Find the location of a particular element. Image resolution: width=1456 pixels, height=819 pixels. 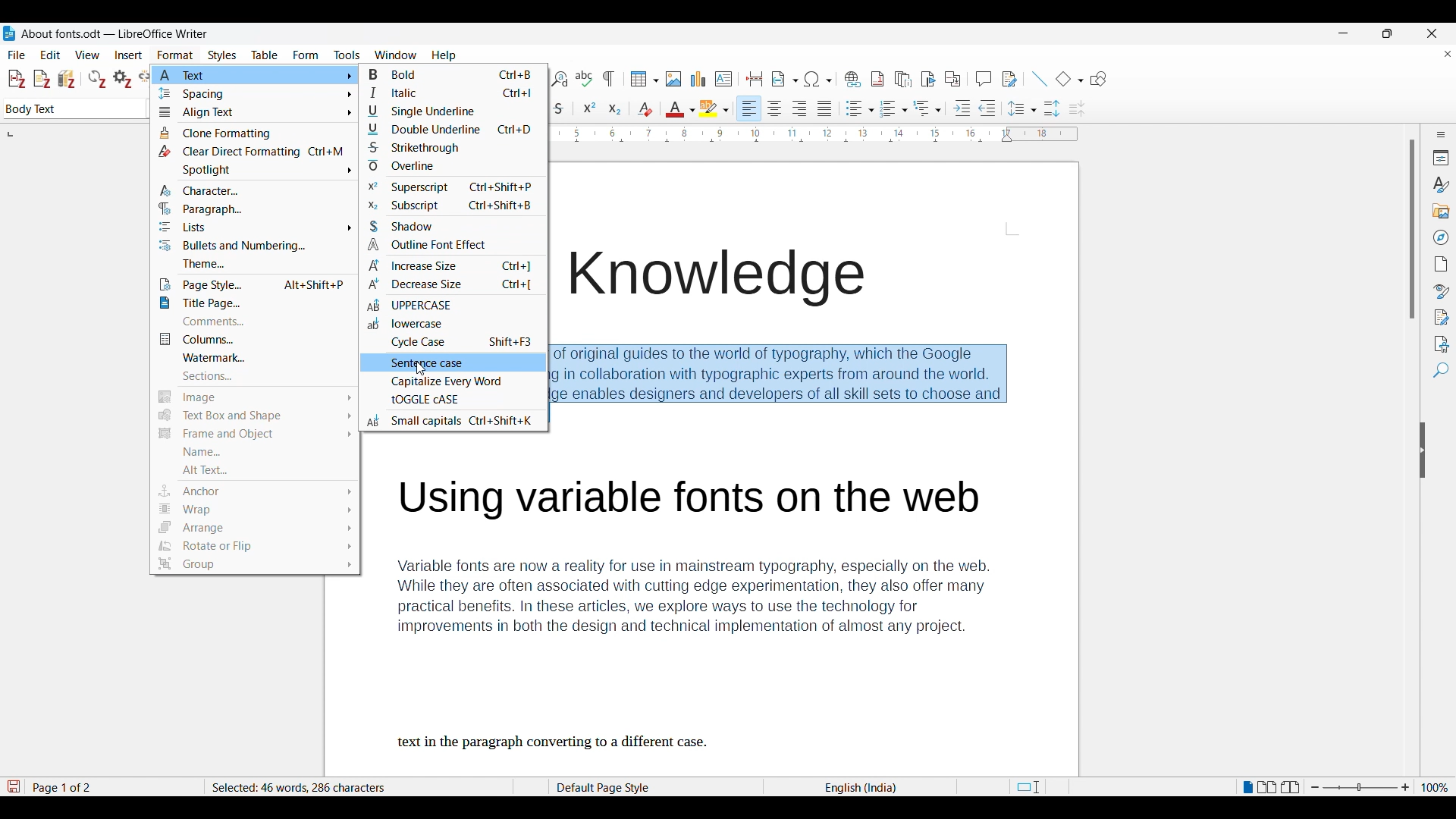

Watermark is located at coordinates (250, 358).